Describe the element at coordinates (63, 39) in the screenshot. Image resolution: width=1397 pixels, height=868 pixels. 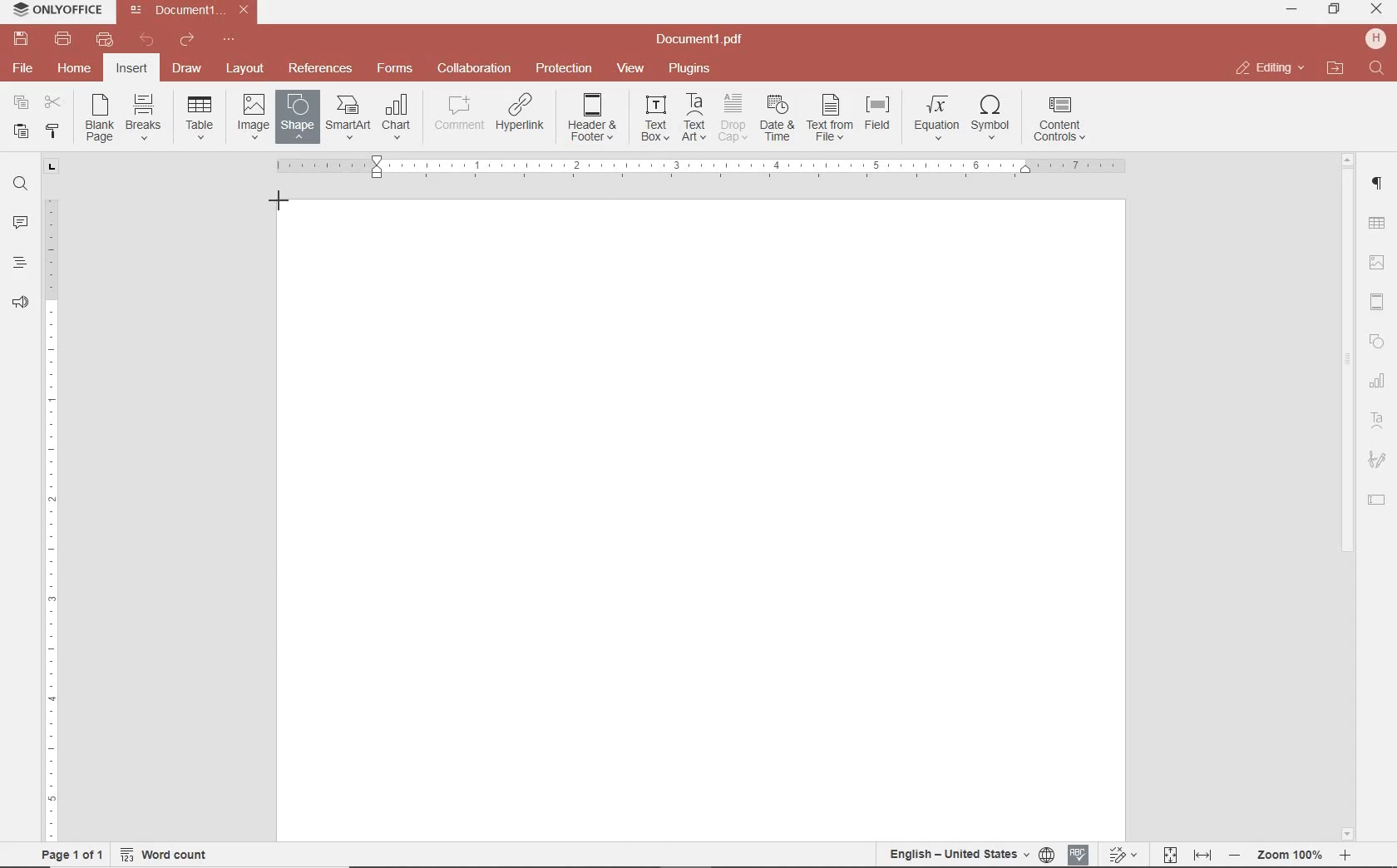
I see `print file` at that location.